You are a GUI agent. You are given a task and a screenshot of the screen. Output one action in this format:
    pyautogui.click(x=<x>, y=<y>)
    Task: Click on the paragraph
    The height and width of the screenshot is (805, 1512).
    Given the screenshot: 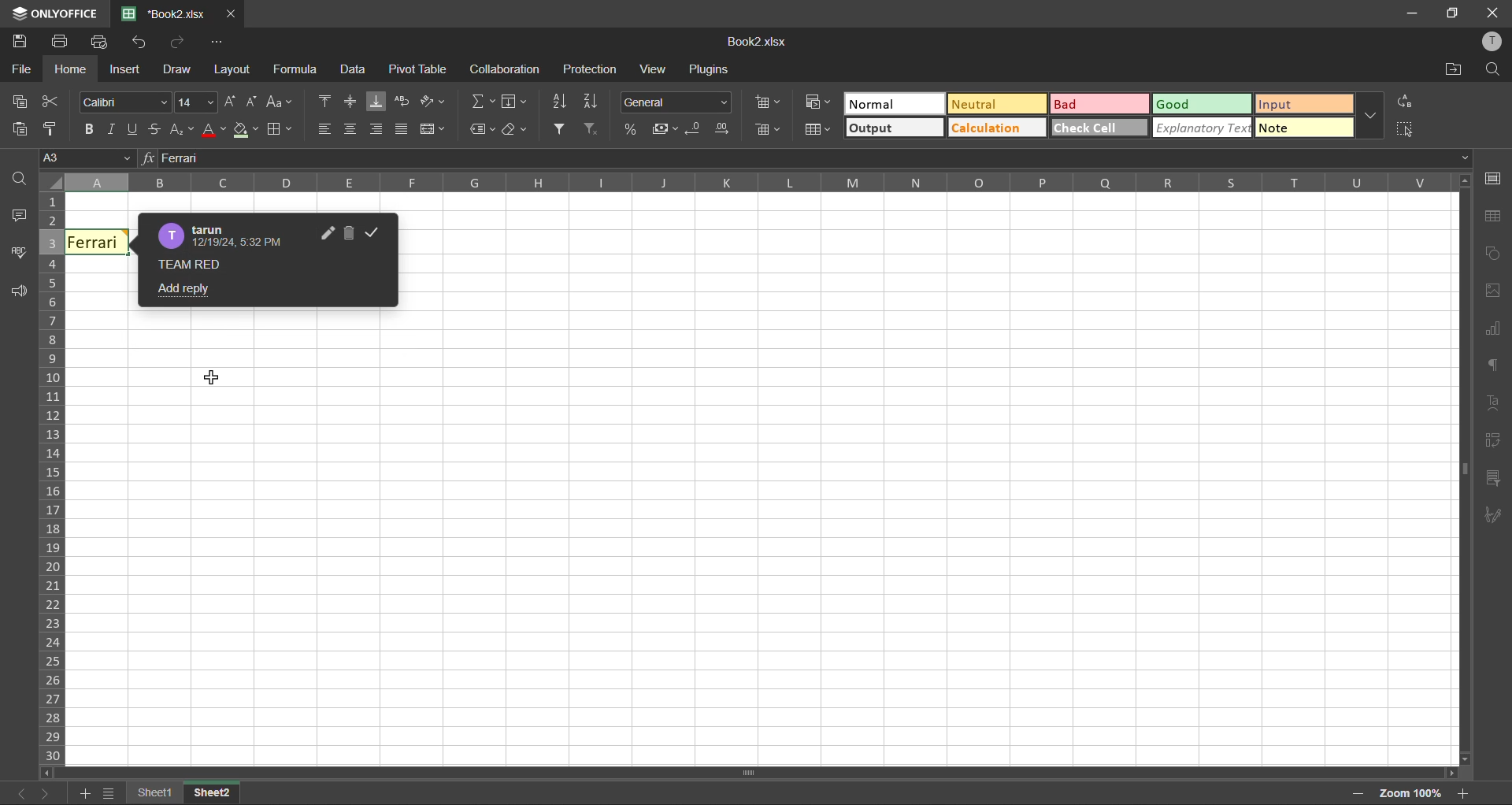 What is the action you would take?
    pyautogui.click(x=1497, y=367)
    